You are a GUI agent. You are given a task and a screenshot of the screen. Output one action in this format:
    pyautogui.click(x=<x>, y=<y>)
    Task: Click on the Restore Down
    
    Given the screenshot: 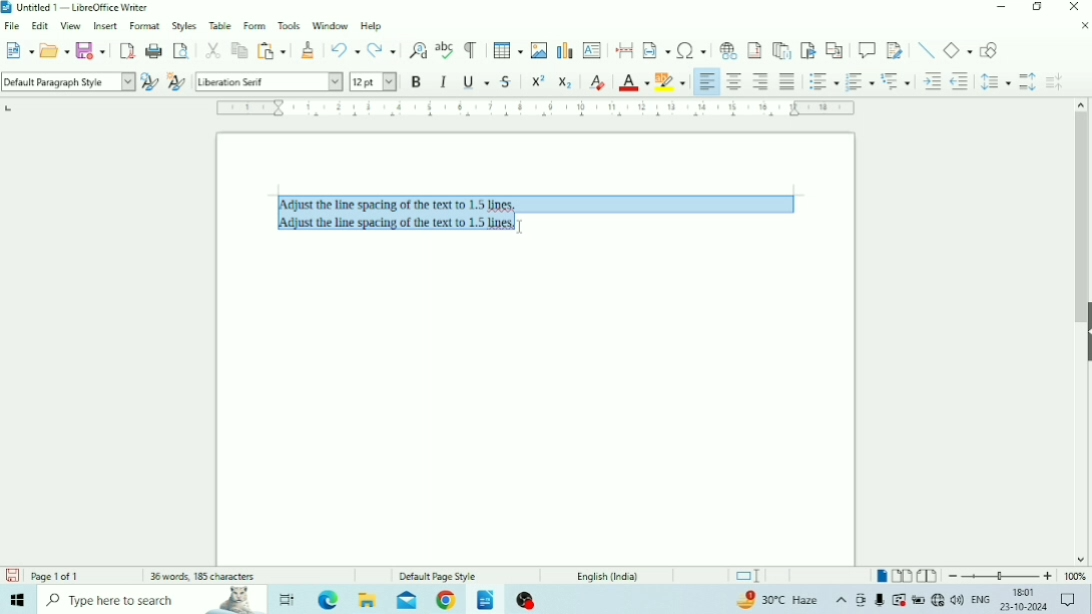 What is the action you would take?
    pyautogui.click(x=1037, y=7)
    